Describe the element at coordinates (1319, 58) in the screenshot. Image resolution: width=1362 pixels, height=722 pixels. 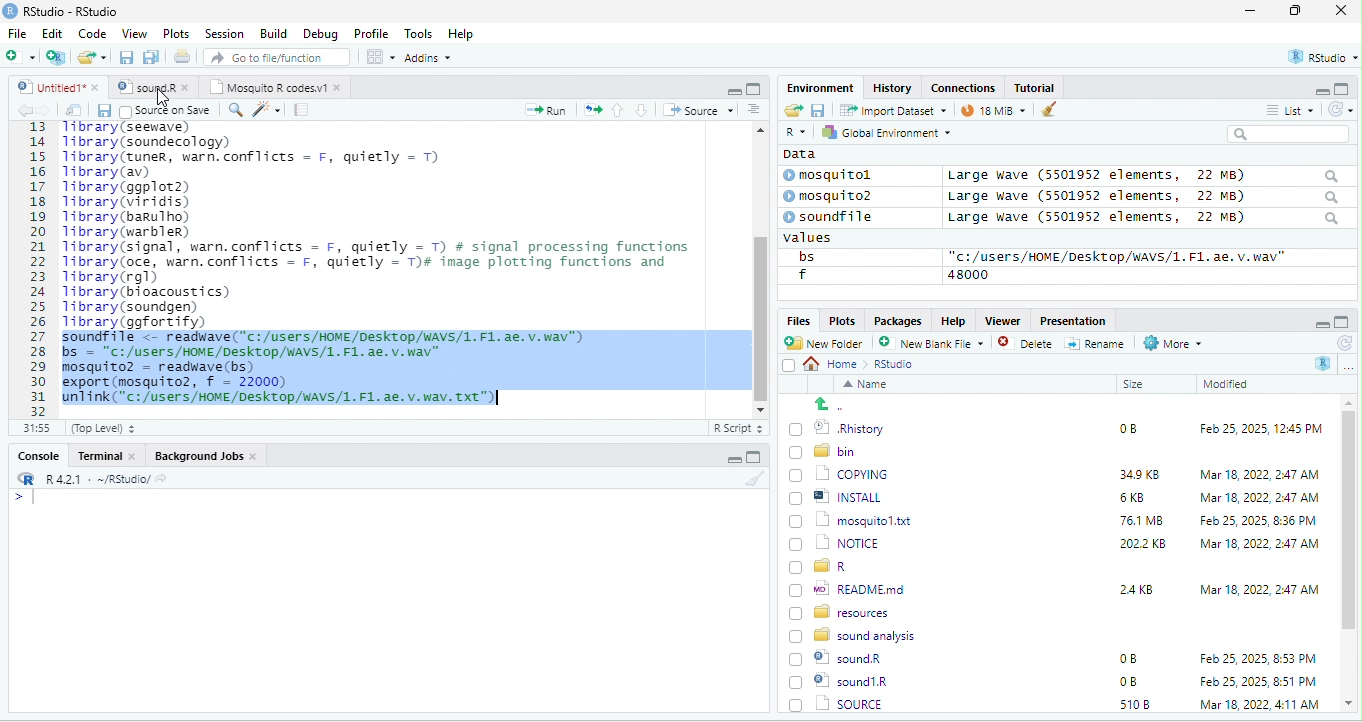
I see `rstudio` at that location.